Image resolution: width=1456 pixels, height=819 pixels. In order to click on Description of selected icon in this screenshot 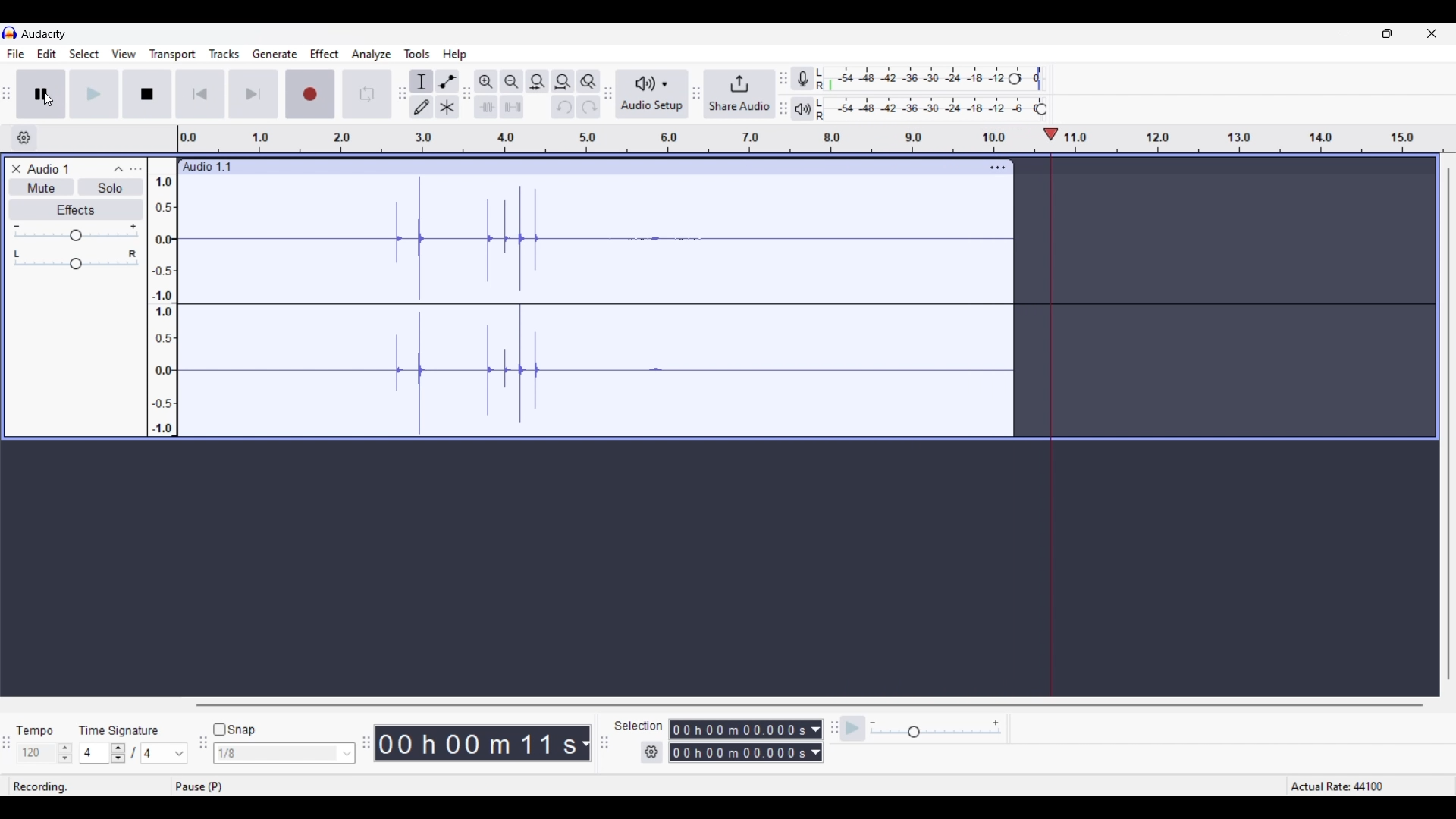, I will do `click(205, 786)`.